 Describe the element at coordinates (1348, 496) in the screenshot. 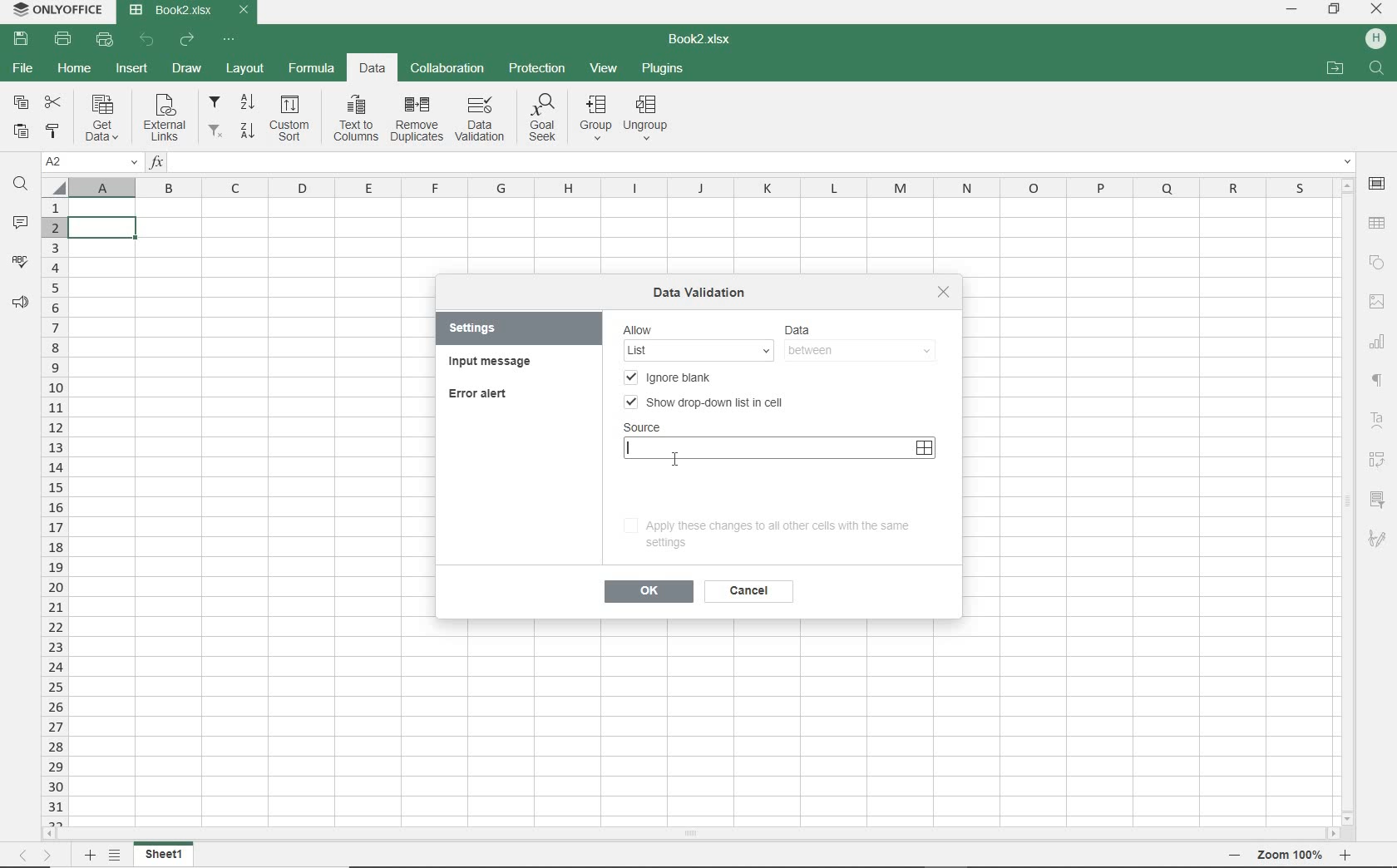

I see `SCROLLBAR` at that location.